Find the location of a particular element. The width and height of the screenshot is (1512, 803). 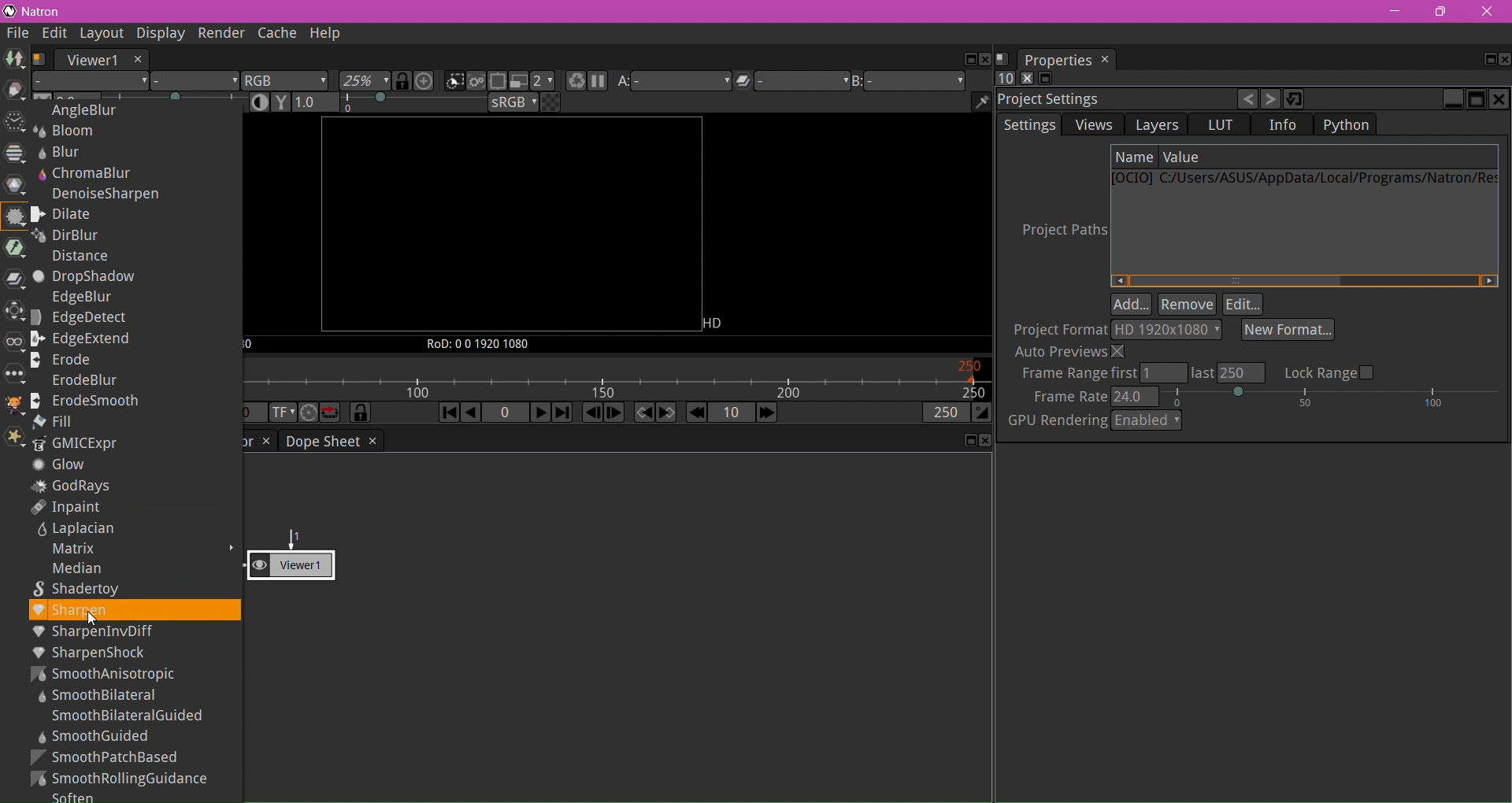

Info is located at coordinates (1284, 125).